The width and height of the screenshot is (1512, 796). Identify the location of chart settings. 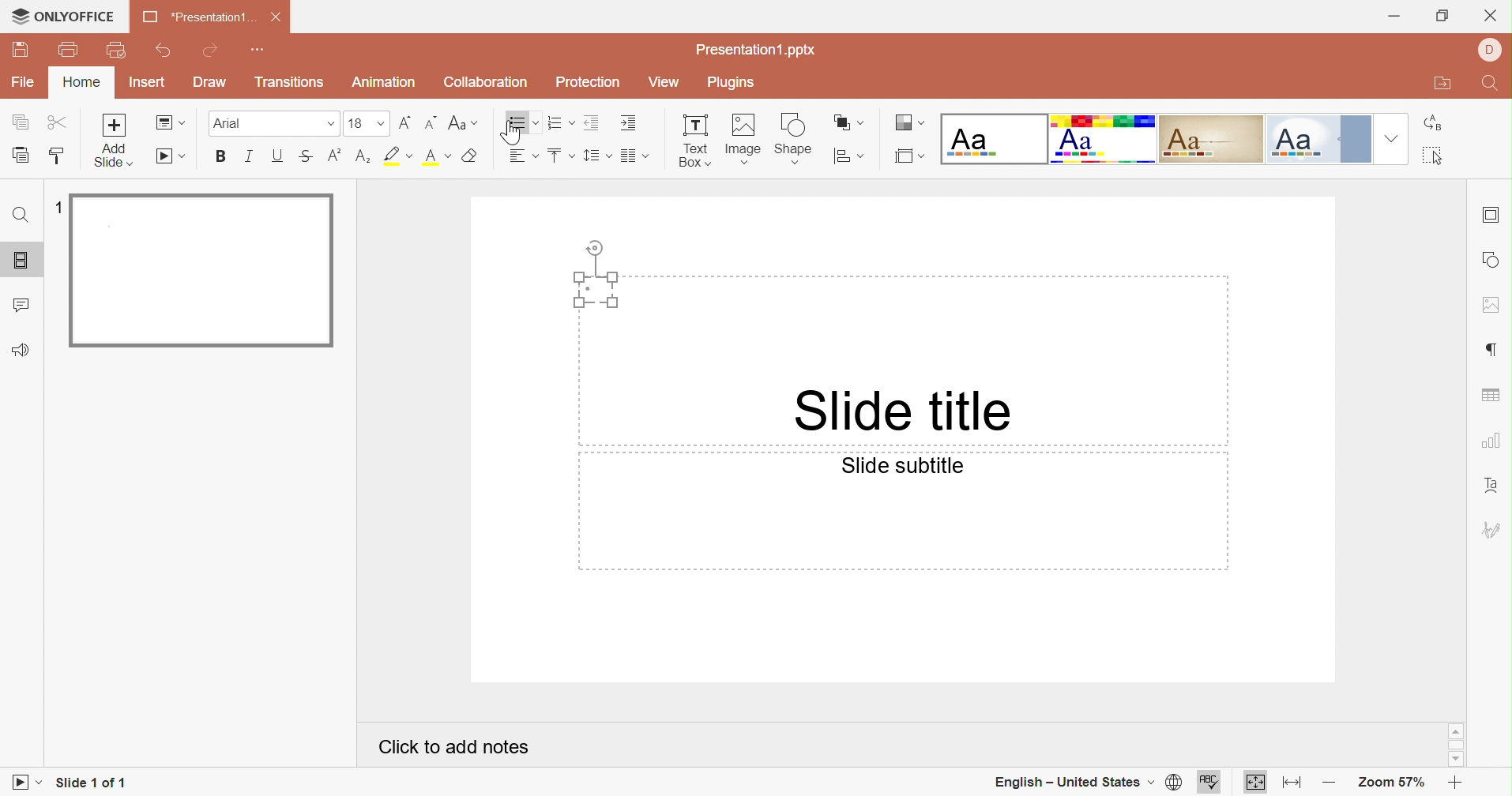
(1491, 445).